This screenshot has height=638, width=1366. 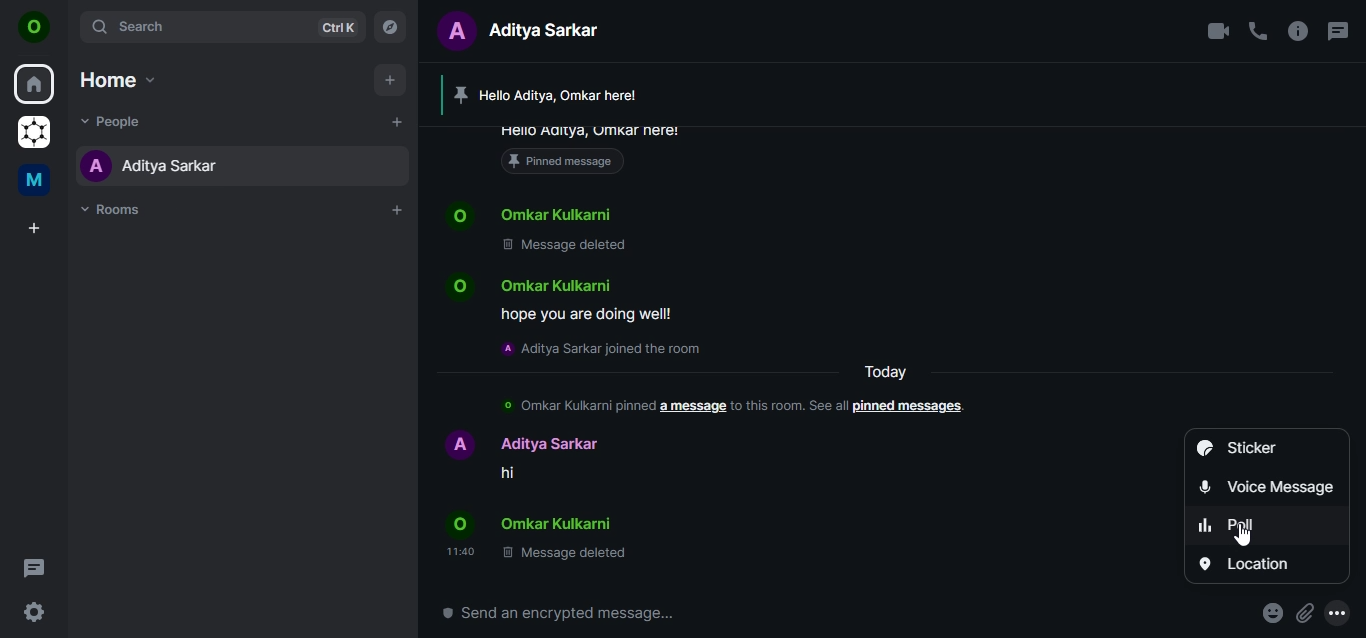 I want to click on me, so click(x=37, y=183).